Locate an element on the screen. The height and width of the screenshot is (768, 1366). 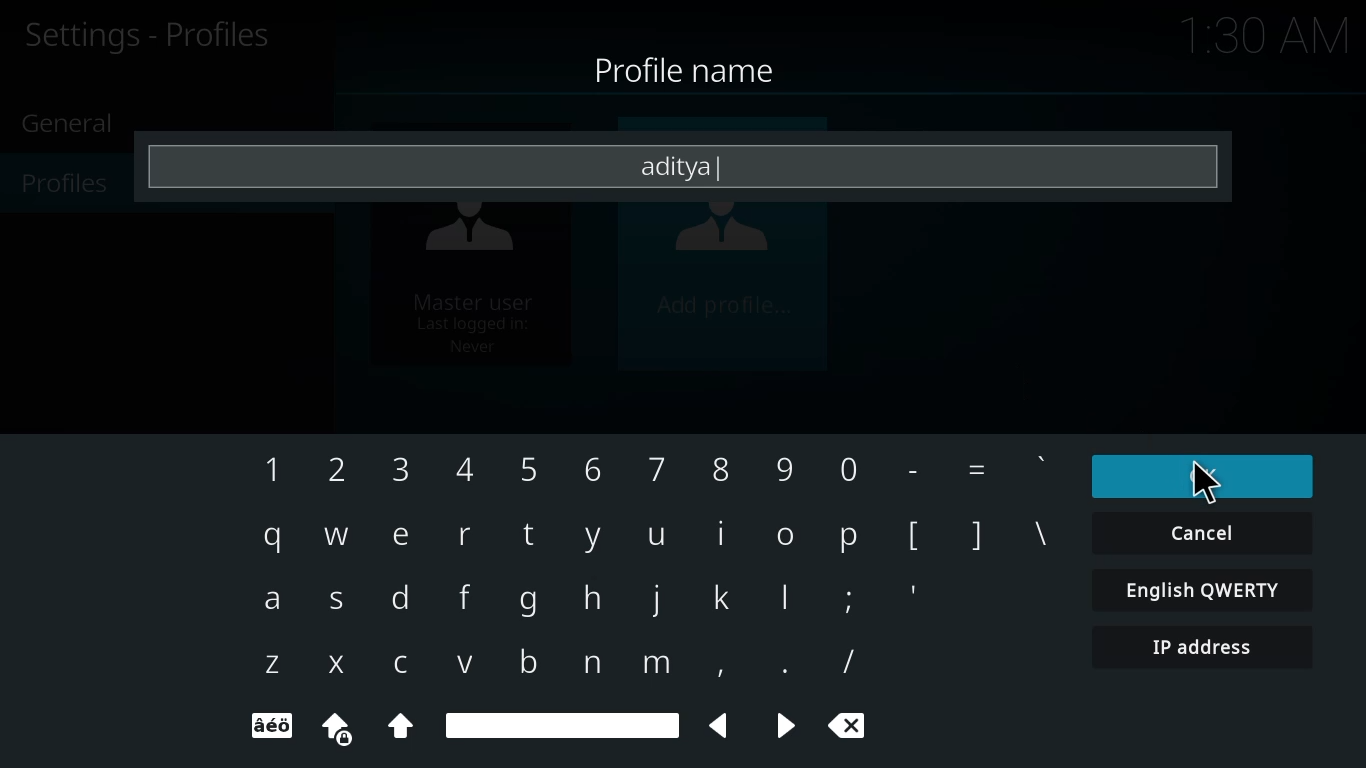
o is located at coordinates (782, 538).